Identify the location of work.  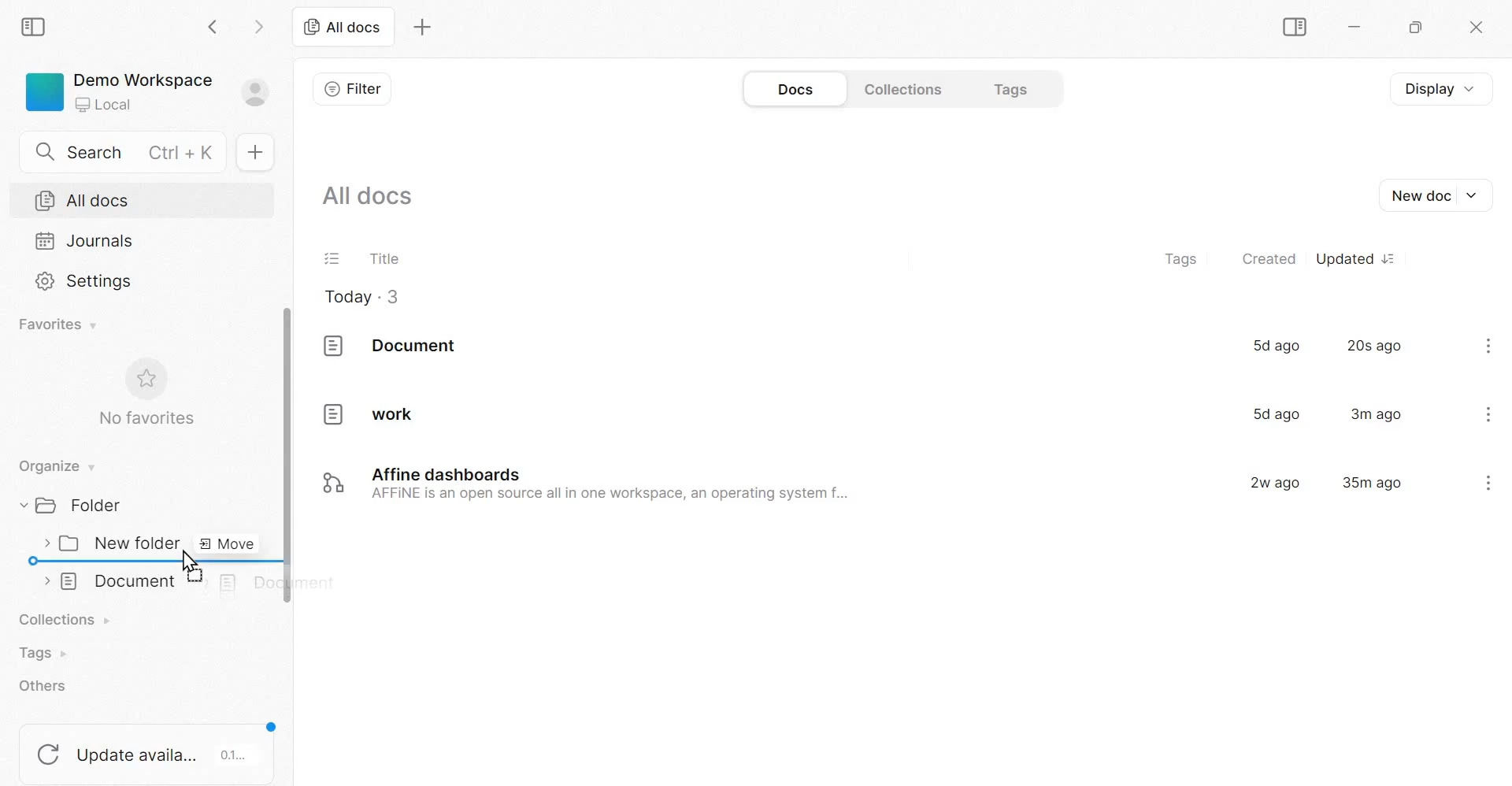
(361, 413).